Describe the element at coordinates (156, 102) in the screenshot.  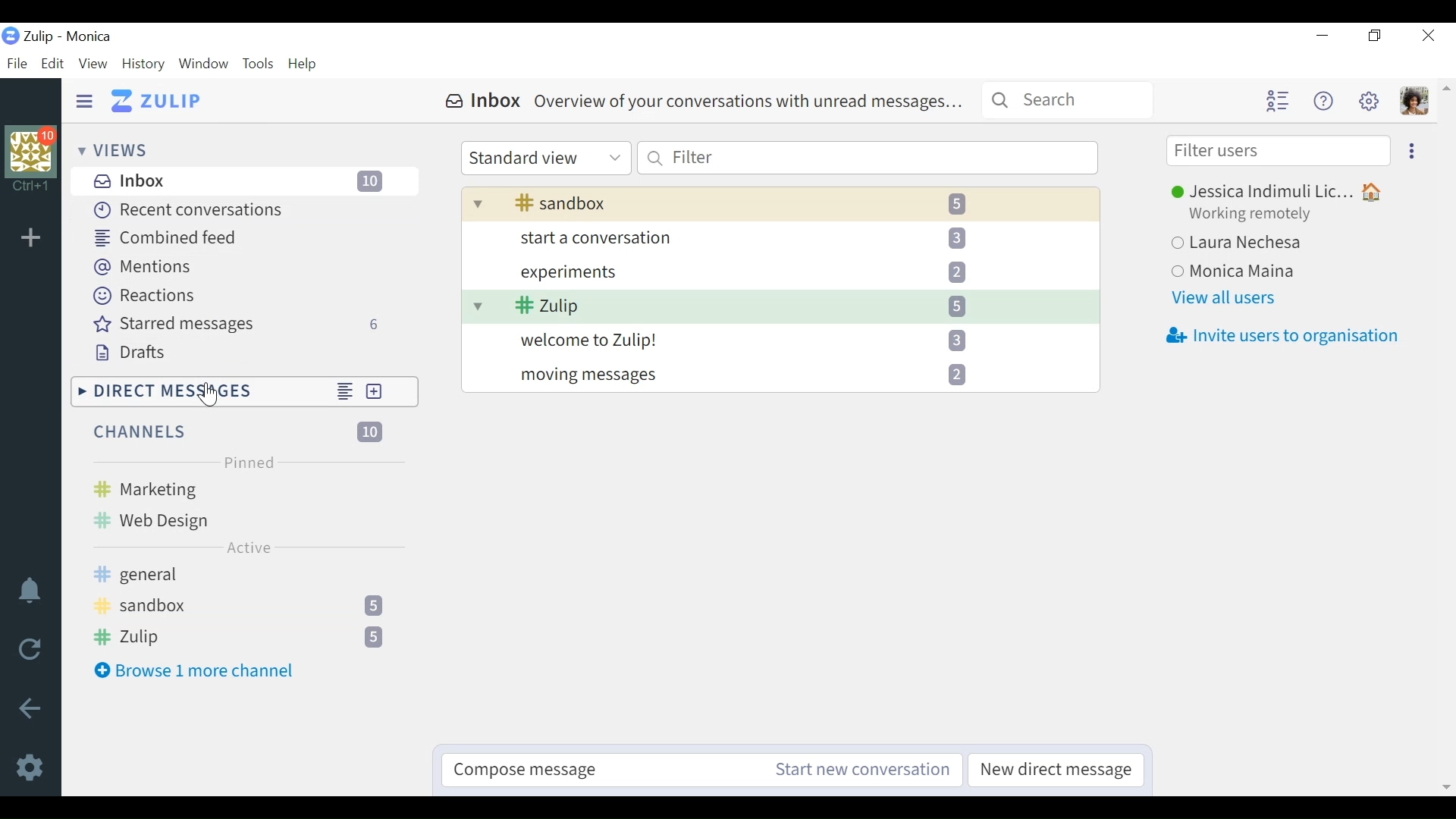
I see `Go to Home View (Inbox)` at that location.